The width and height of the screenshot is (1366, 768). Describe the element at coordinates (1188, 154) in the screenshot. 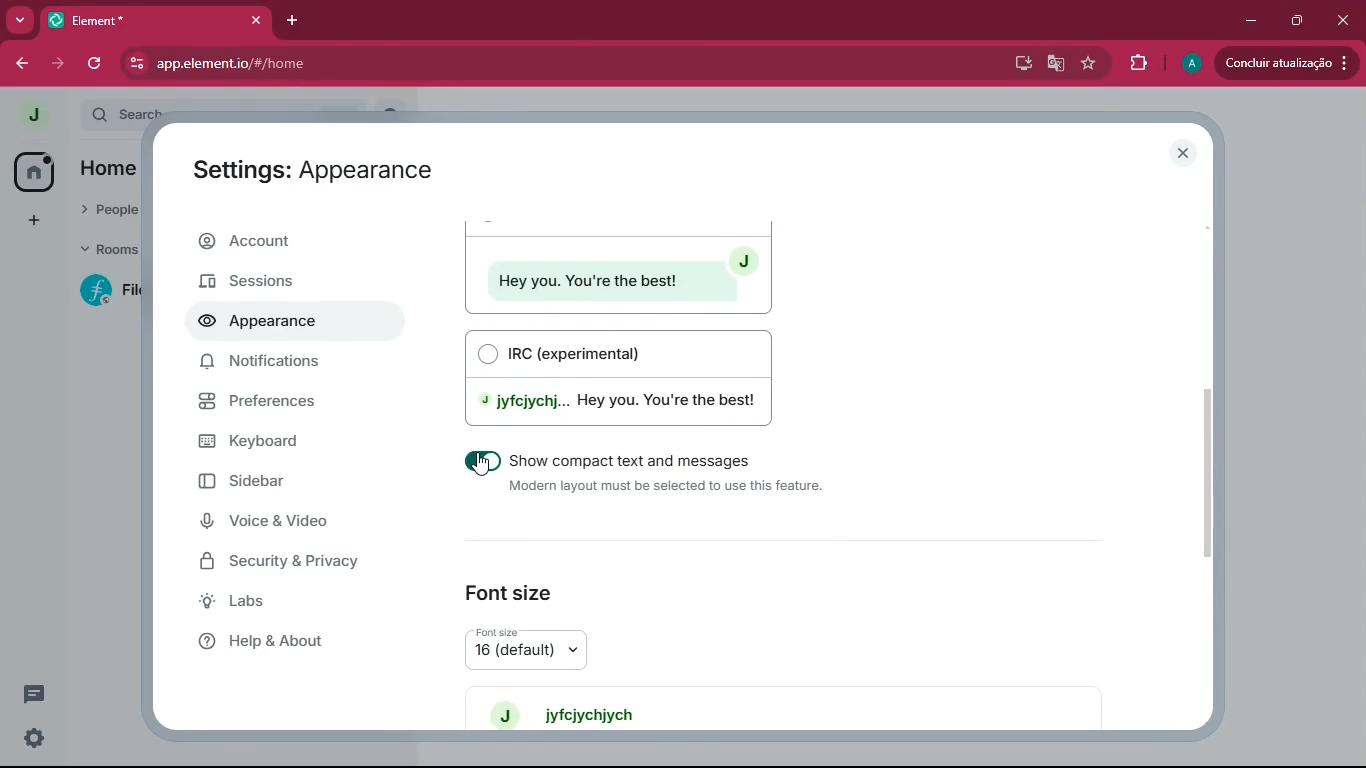

I see `close` at that location.